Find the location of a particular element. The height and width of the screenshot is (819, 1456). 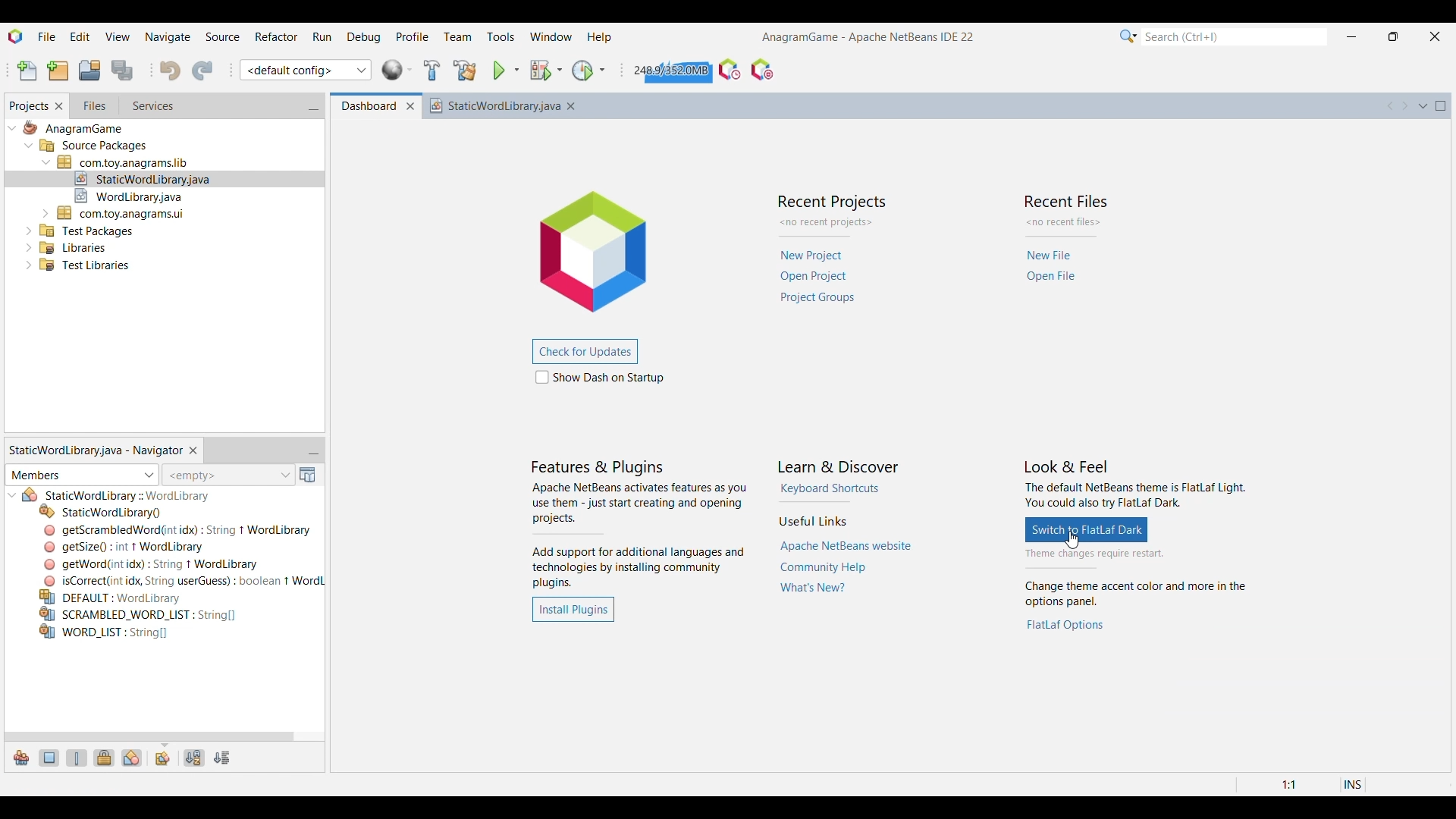

Search options is located at coordinates (1128, 36).